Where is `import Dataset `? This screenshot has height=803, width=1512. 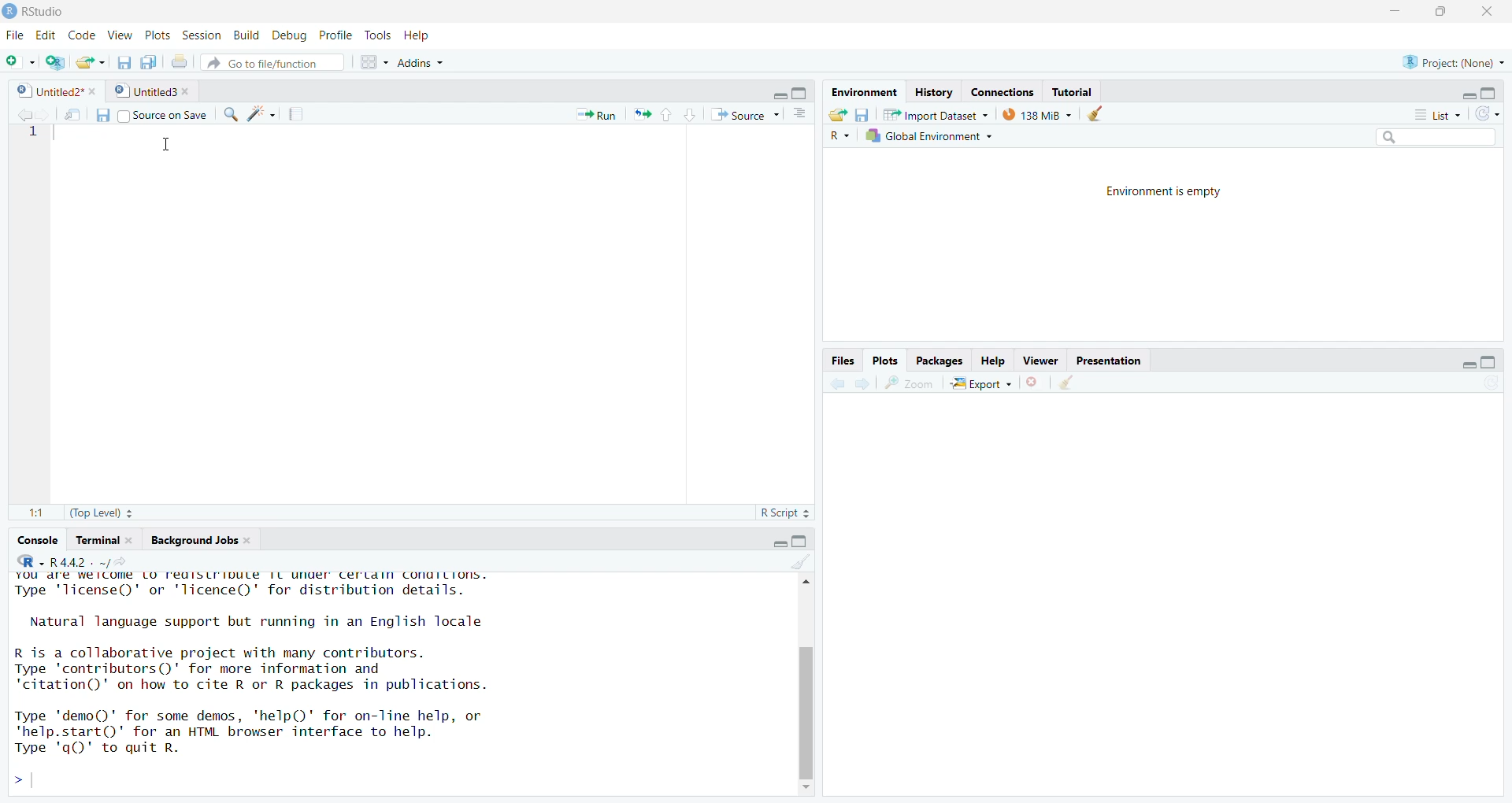
import Dataset  is located at coordinates (933, 112).